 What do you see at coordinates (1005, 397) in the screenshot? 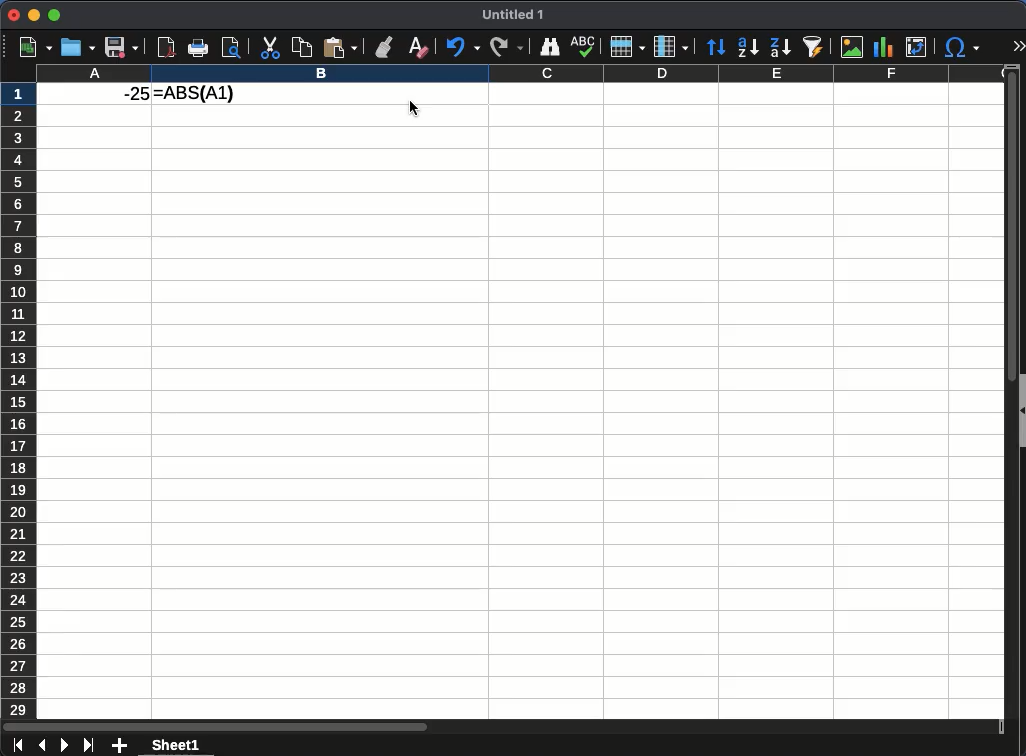
I see `scroll` at bounding box center [1005, 397].